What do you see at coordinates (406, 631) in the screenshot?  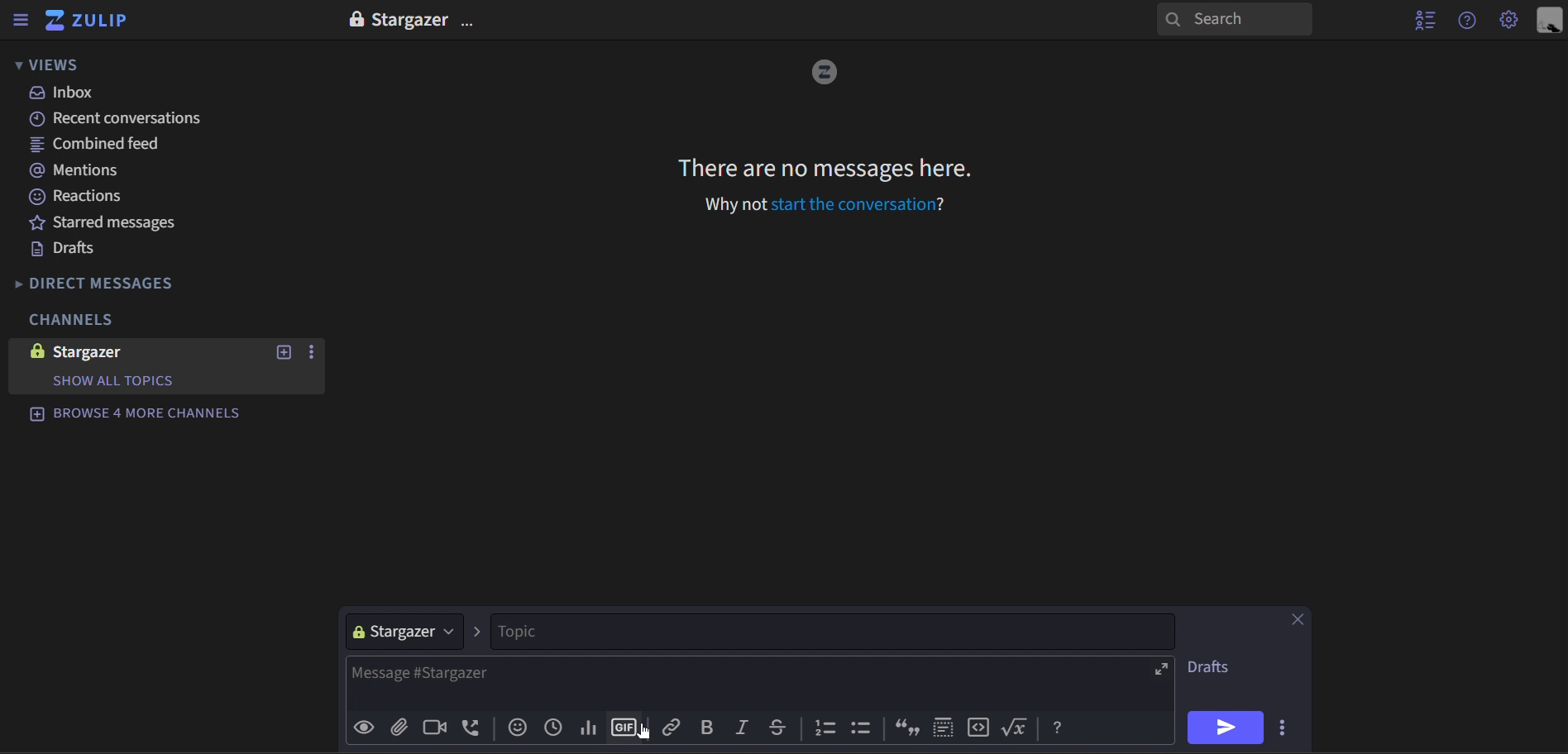 I see `stargazer` at bounding box center [406, 631].